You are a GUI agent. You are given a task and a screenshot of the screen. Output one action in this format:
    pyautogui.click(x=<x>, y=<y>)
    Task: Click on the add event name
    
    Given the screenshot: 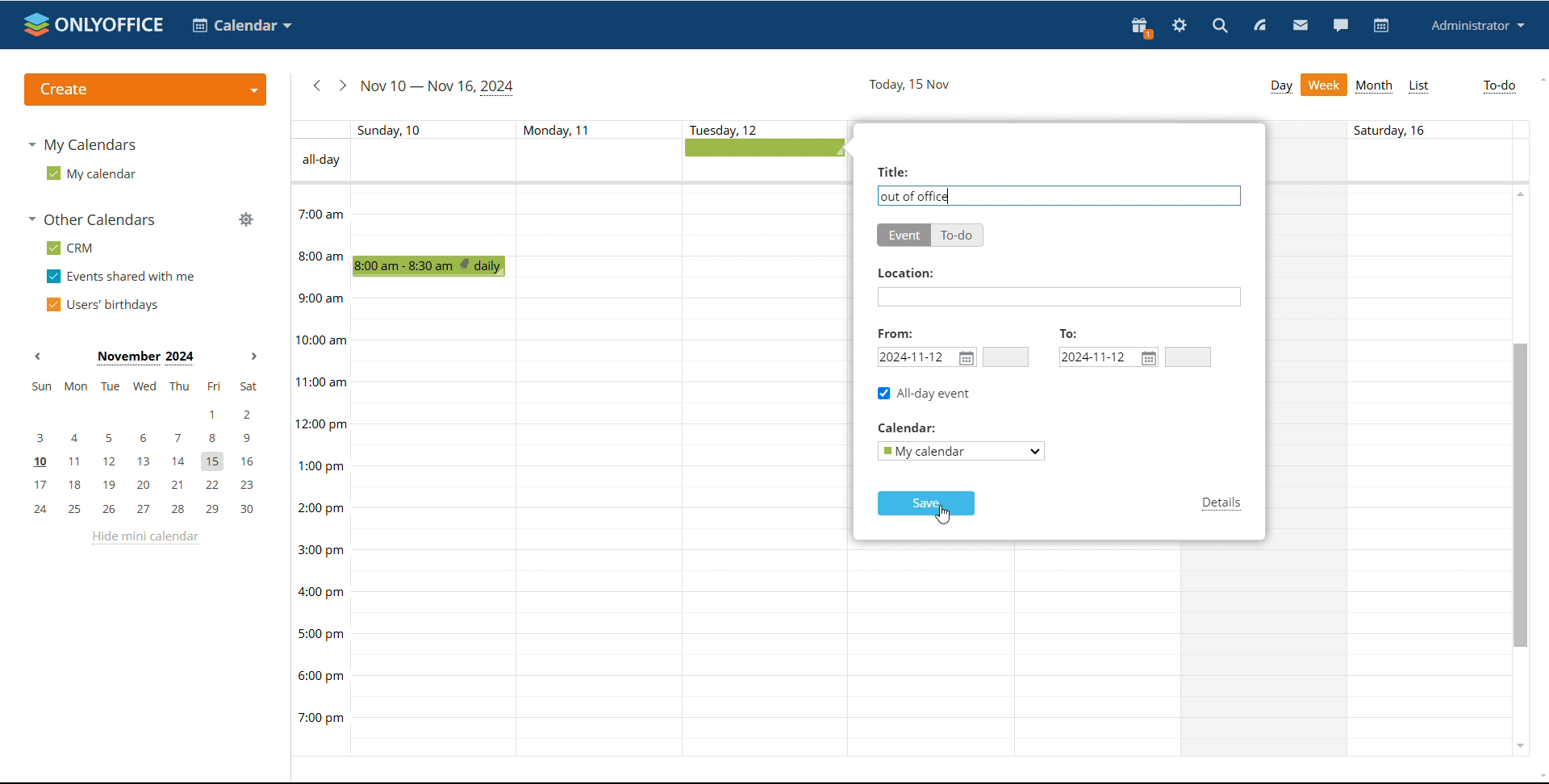 What is the action you would take?
    pyautogui.click(x=1060, y=196)
    